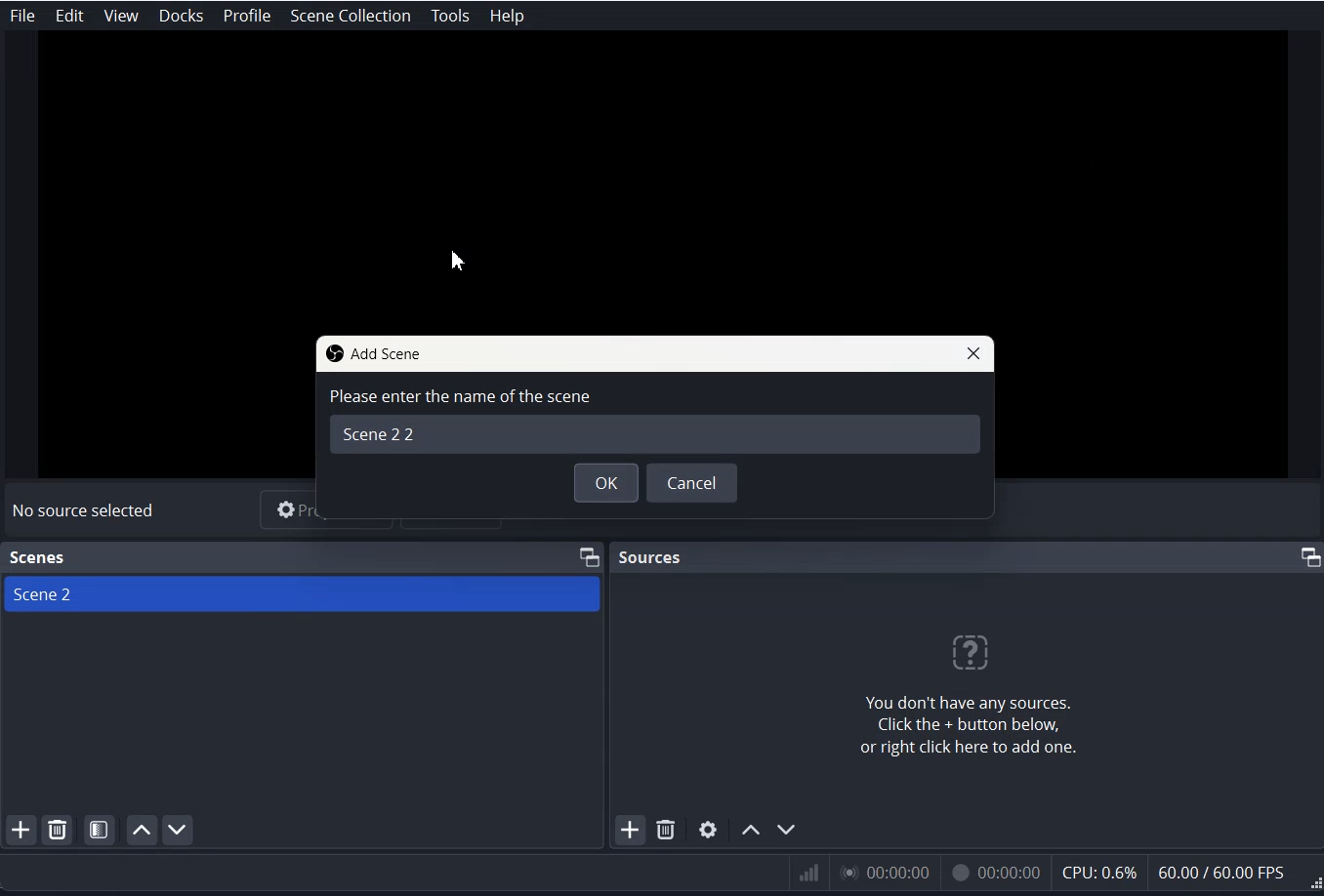 Image resolution: width=1324 pixels, height=896 pixels. Describe the element at coordinates (69, 17) in the screenshot. I see `Edit` at that location.